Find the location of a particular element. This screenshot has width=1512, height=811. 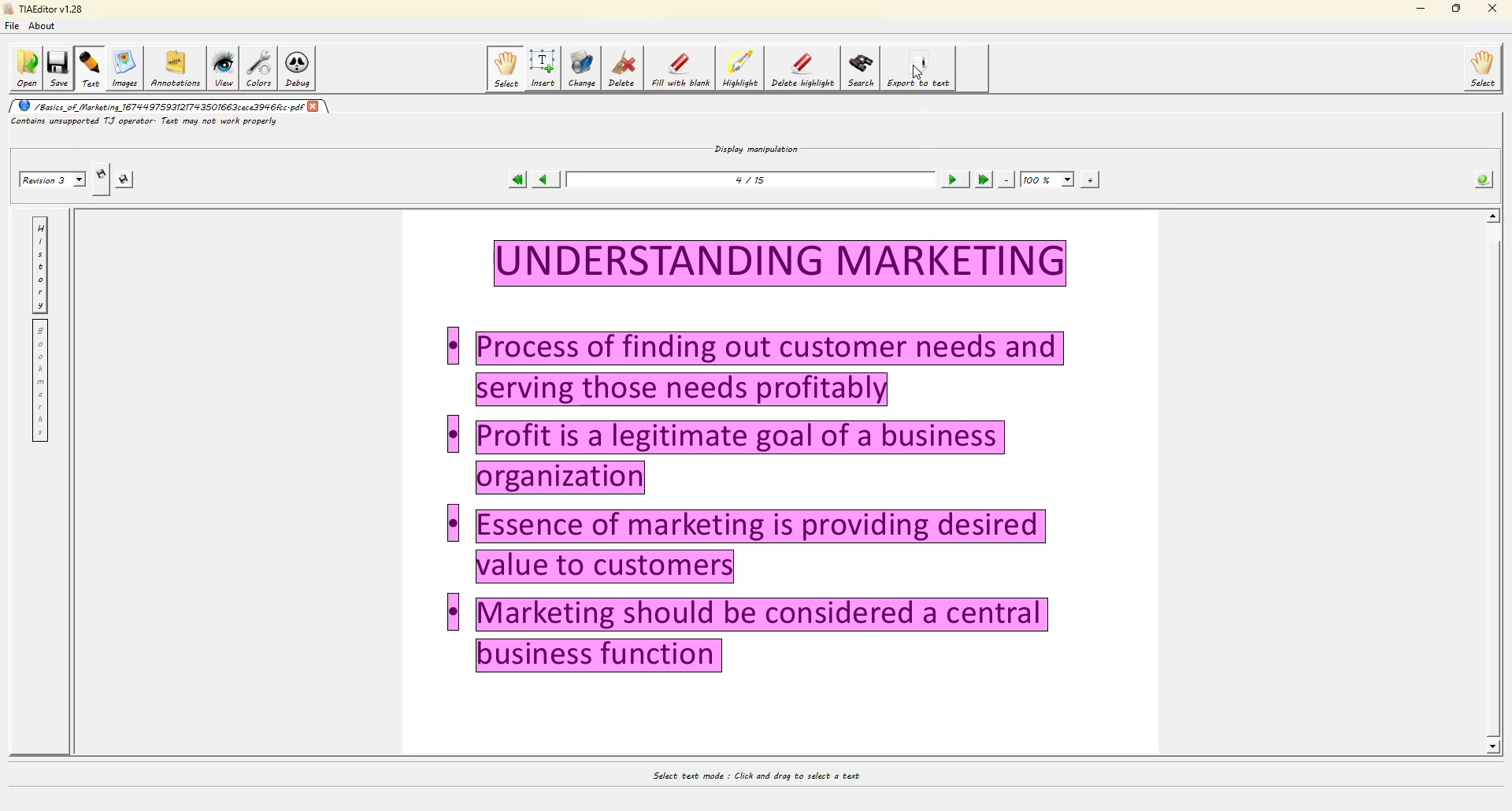

last page is located at coordinates (983, 179).